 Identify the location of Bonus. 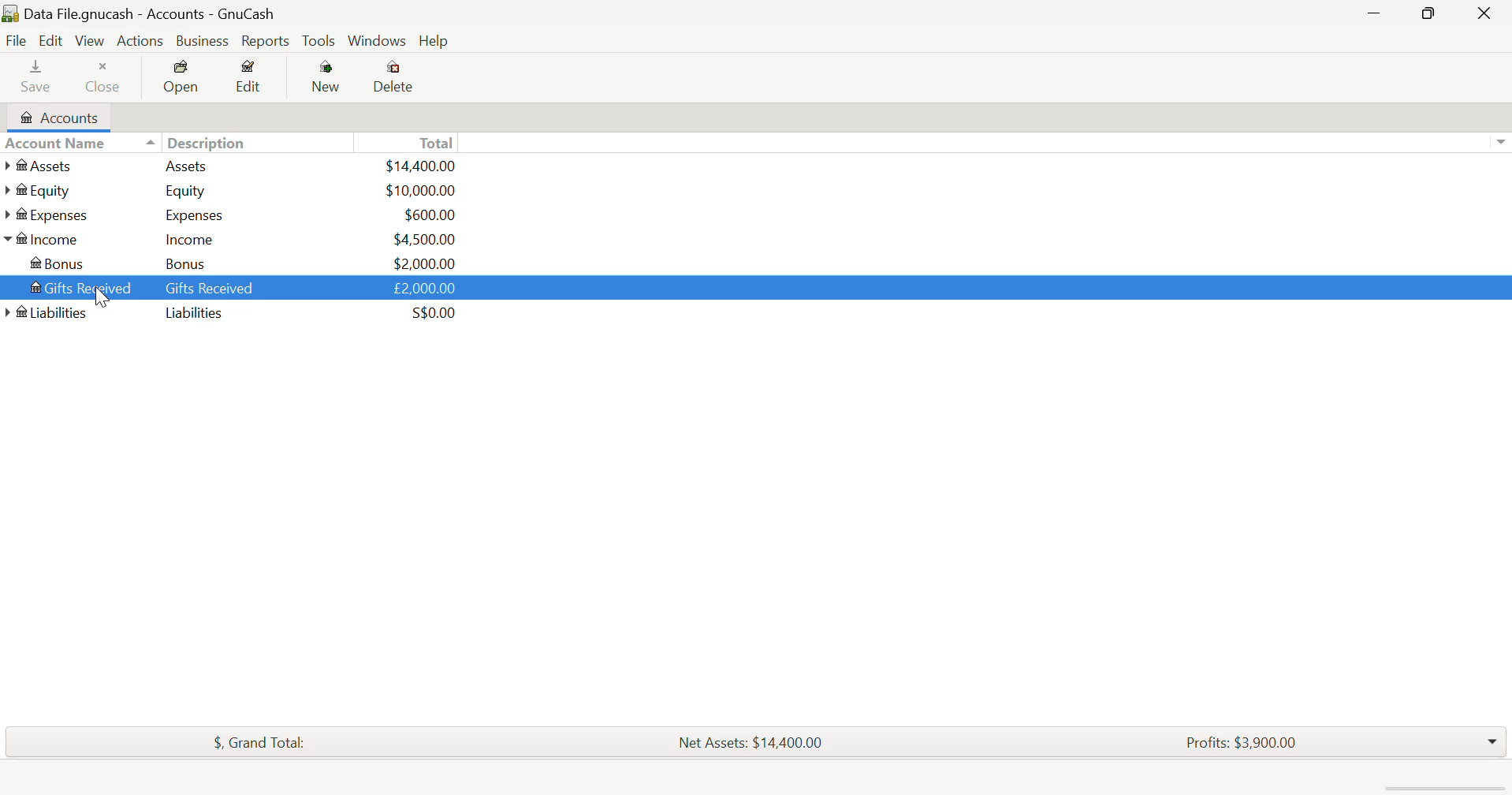
(194, 264).